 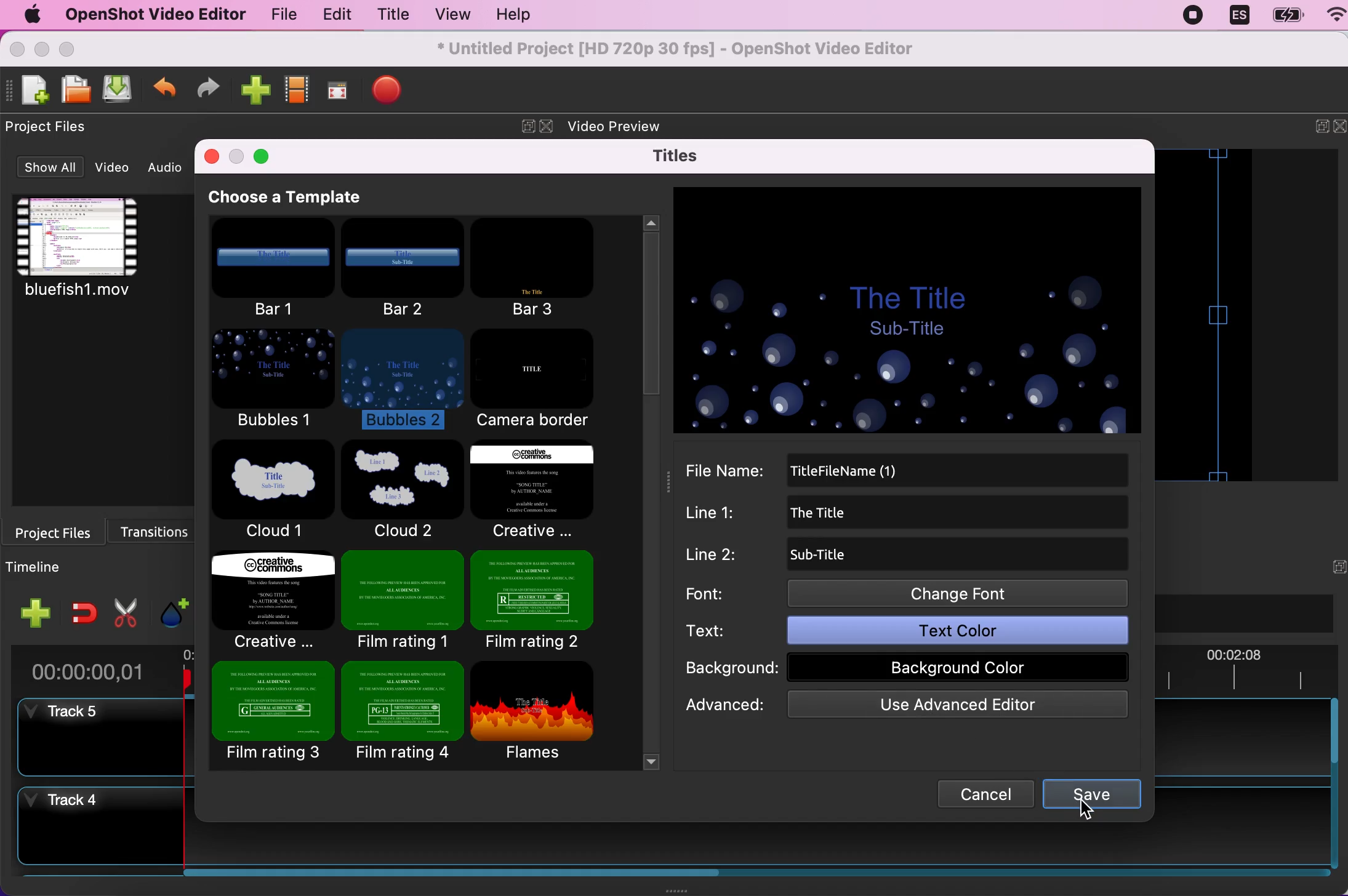 I want to click on save project, so click(x=116, y=90).